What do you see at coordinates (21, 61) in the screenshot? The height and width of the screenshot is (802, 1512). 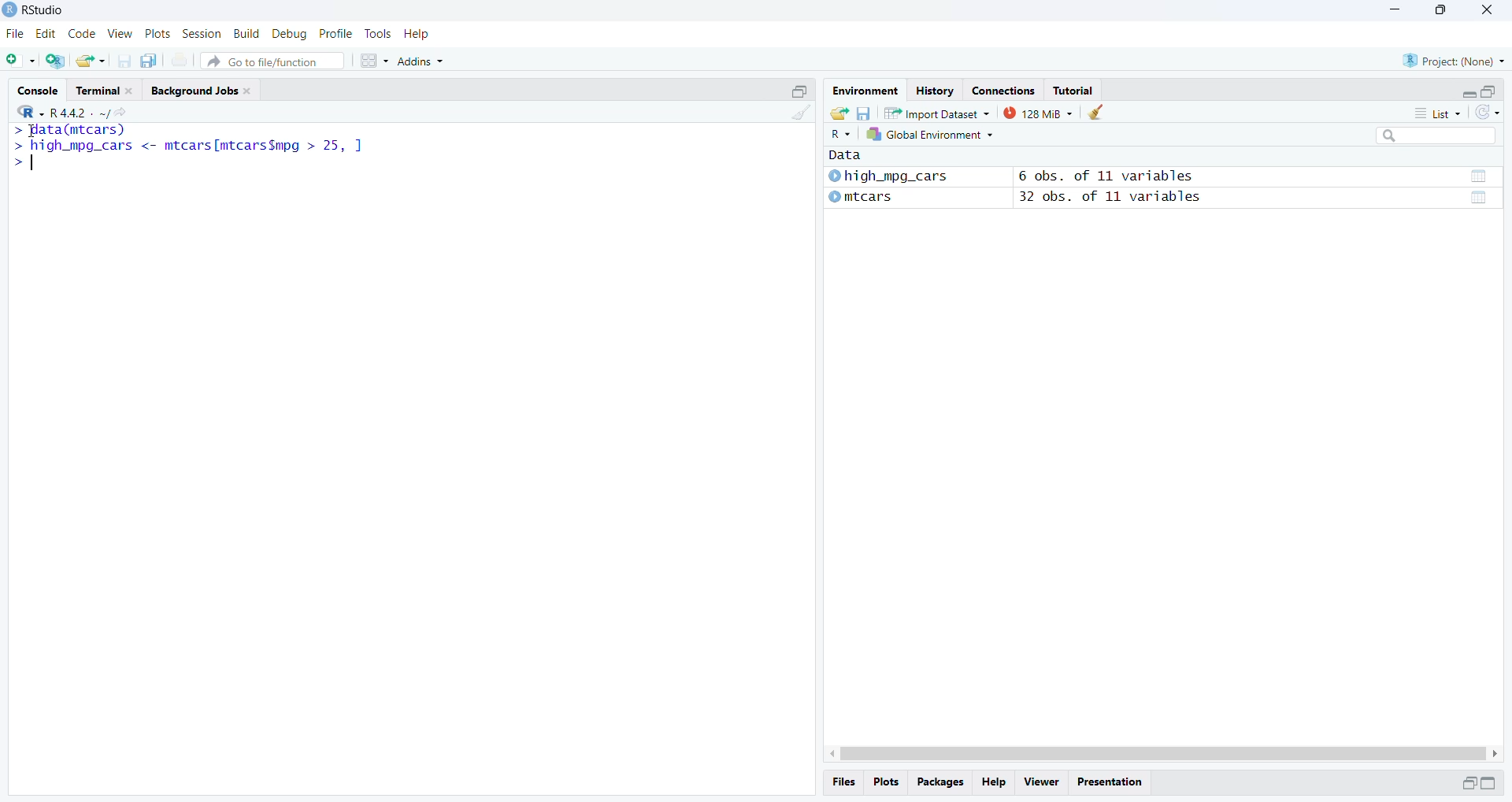 I see `new file` at bounding box center [21, 61].